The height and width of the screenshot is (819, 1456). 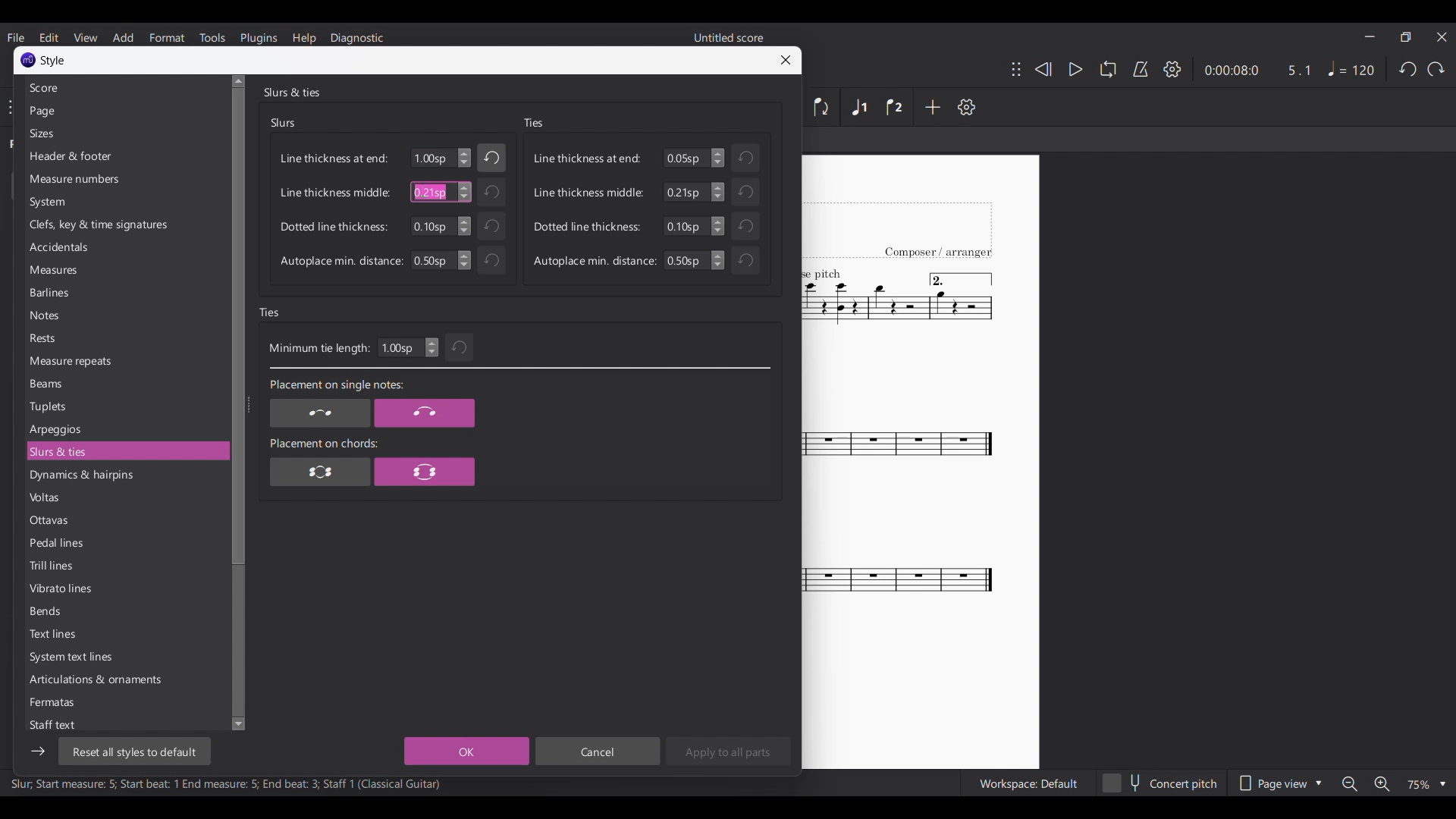 I want to click on 1.00sp, so click(x=431, y=158).